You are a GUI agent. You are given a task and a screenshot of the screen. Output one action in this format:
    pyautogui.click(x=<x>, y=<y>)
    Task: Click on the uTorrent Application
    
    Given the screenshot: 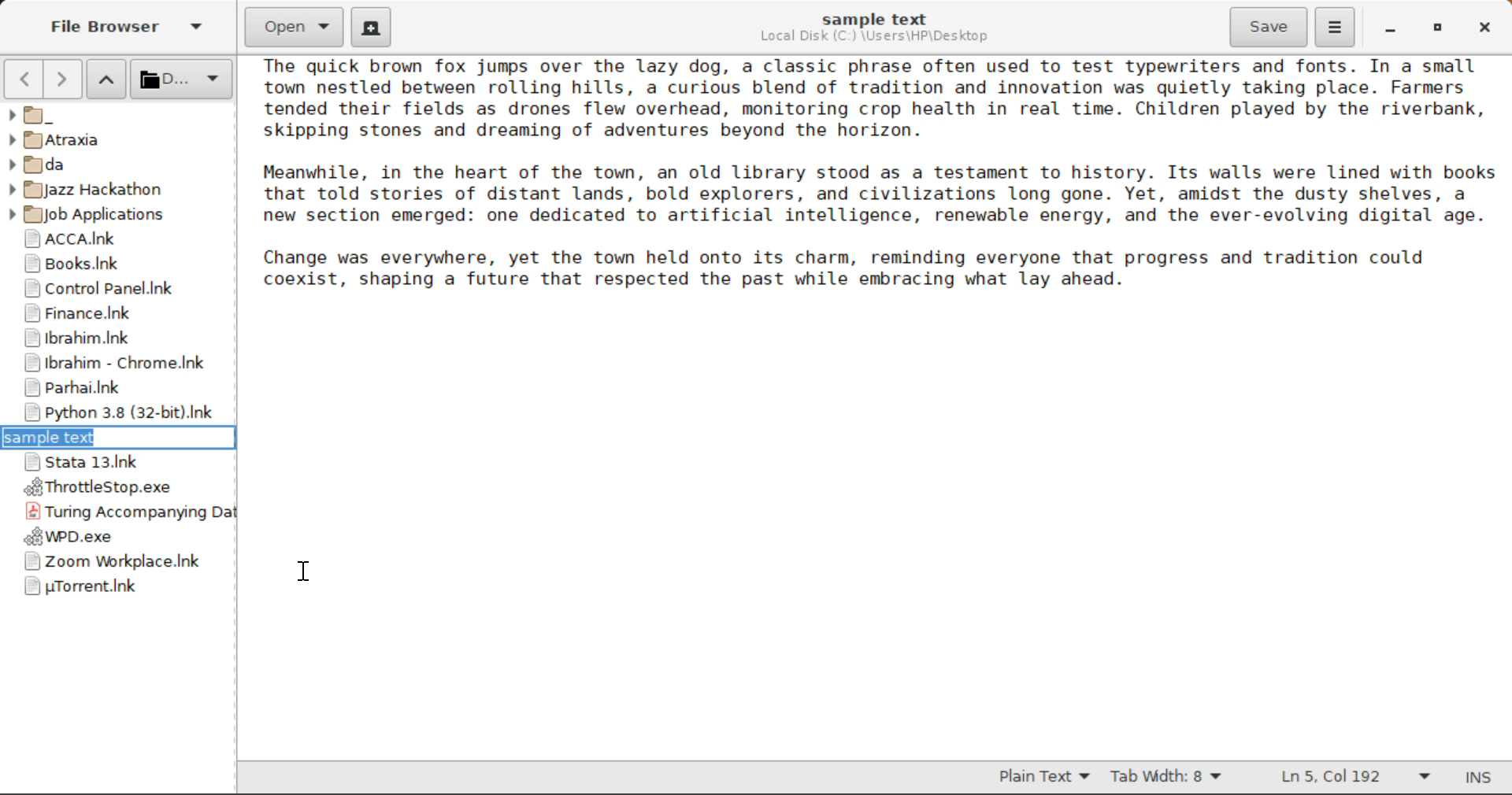 What is the action you would take?
    pyautogui.click(x=113, y=590)
    